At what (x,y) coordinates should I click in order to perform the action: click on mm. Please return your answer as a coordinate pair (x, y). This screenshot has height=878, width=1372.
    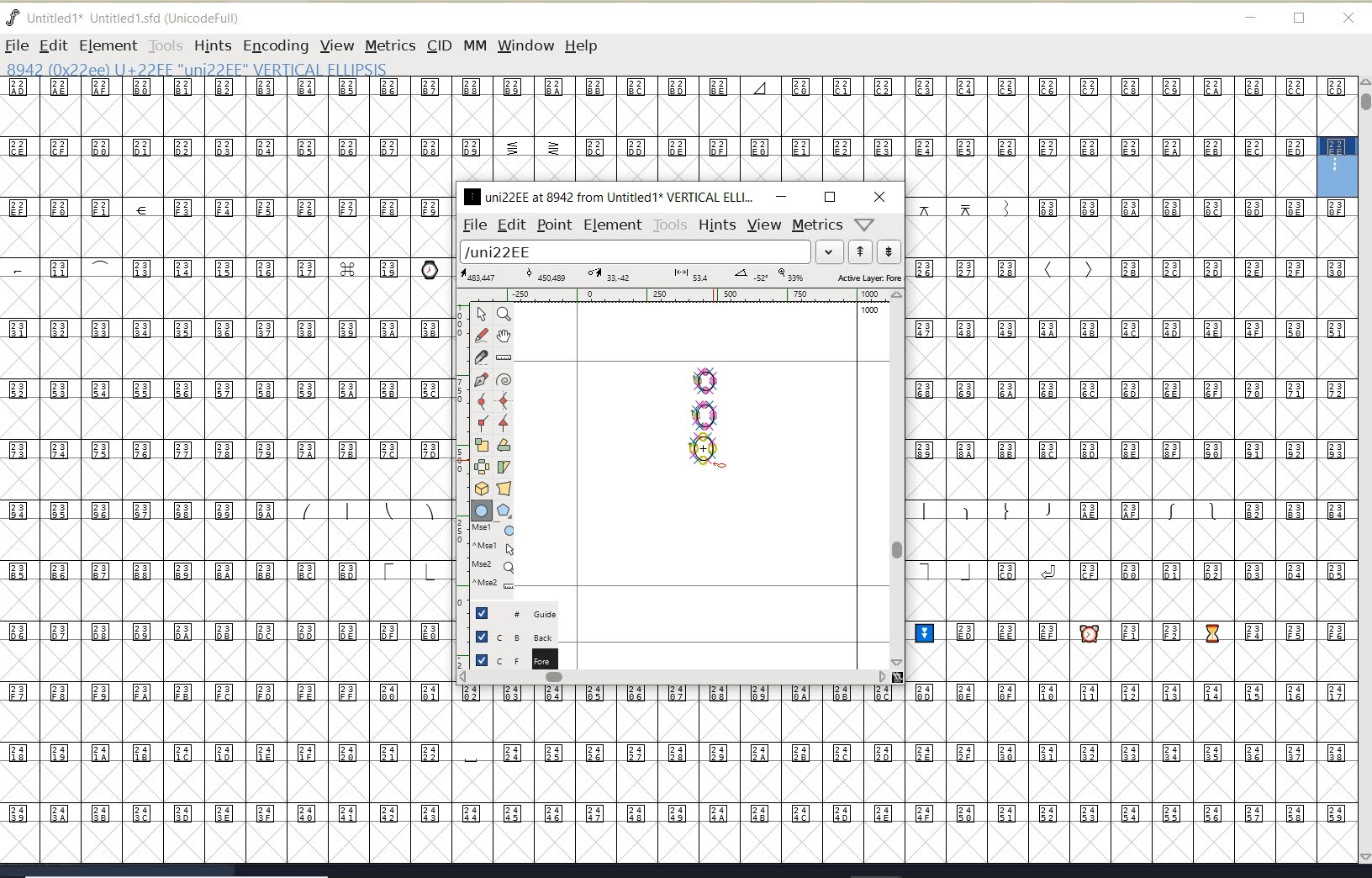
    Looking at the image, I should click on (473, 43).